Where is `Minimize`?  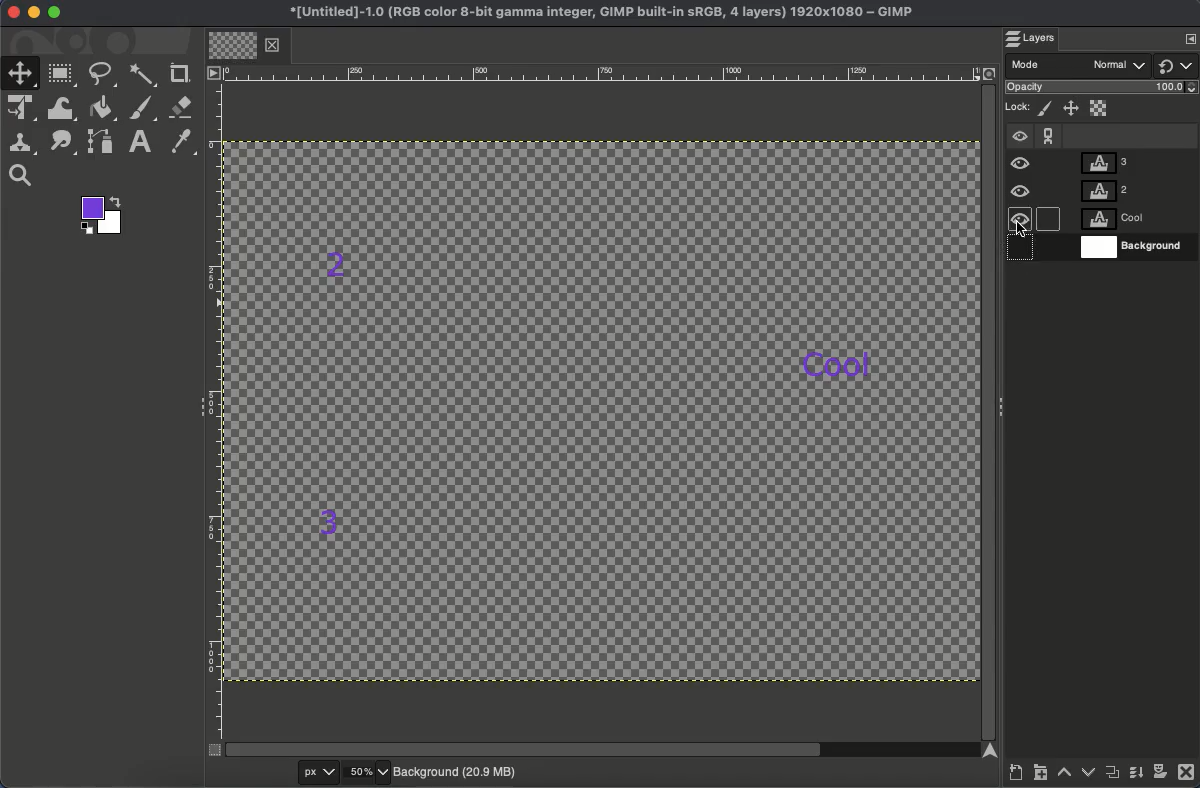
Minimize is located at coordinates (34, 12).